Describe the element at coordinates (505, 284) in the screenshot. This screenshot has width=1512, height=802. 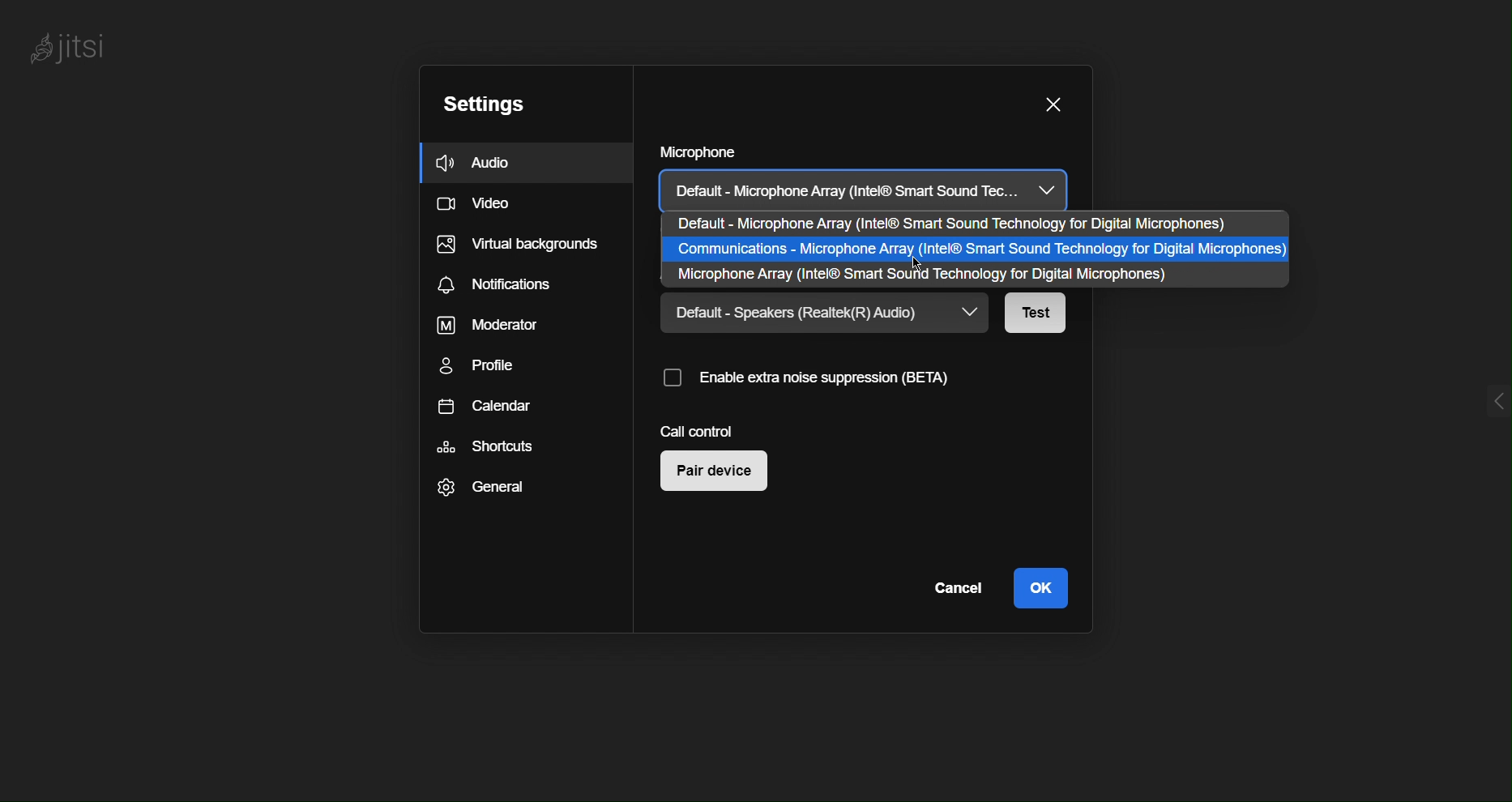
I see `Notifications` at that location.